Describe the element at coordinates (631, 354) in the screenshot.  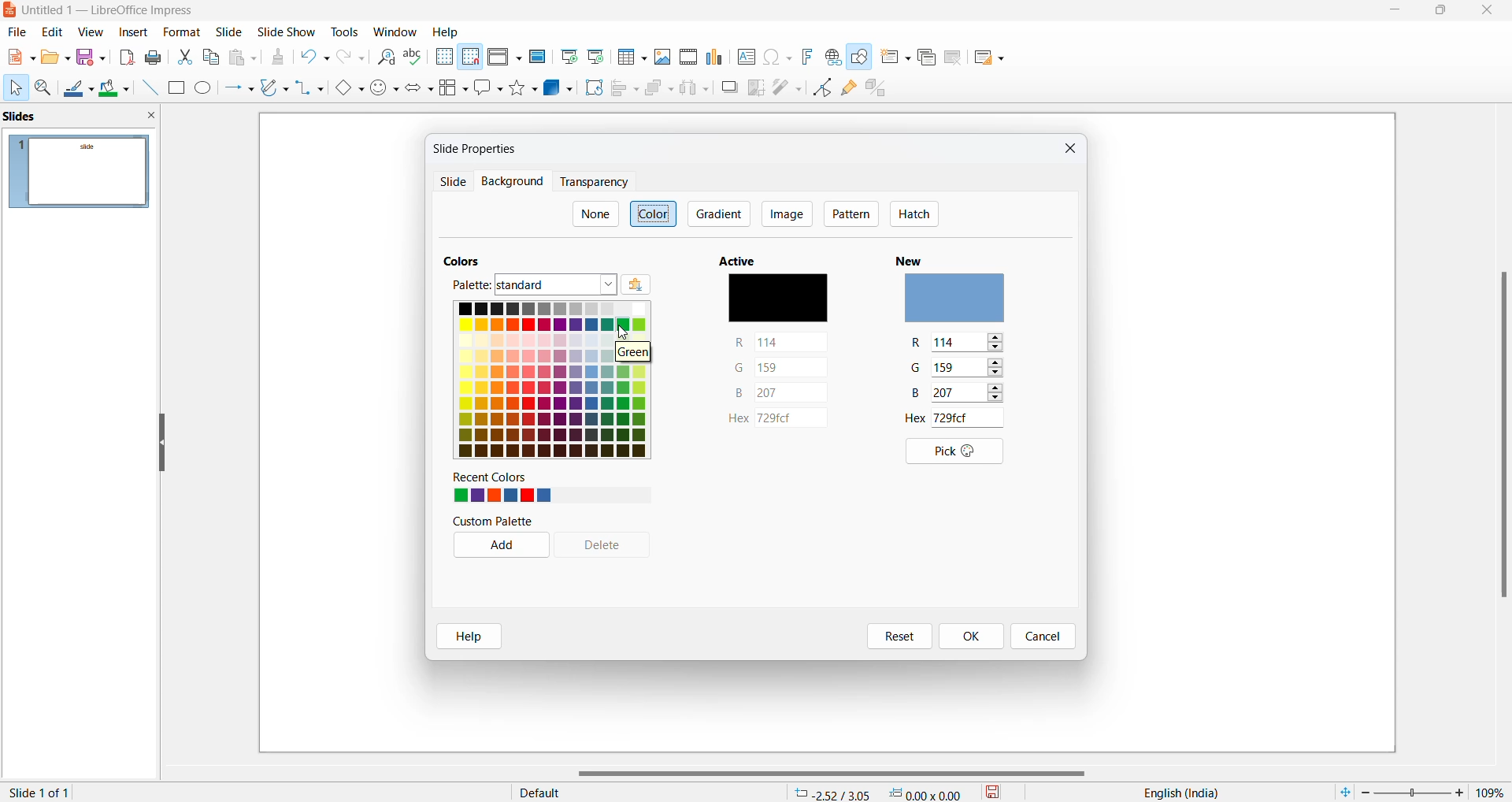
I see `hover text` at that location.